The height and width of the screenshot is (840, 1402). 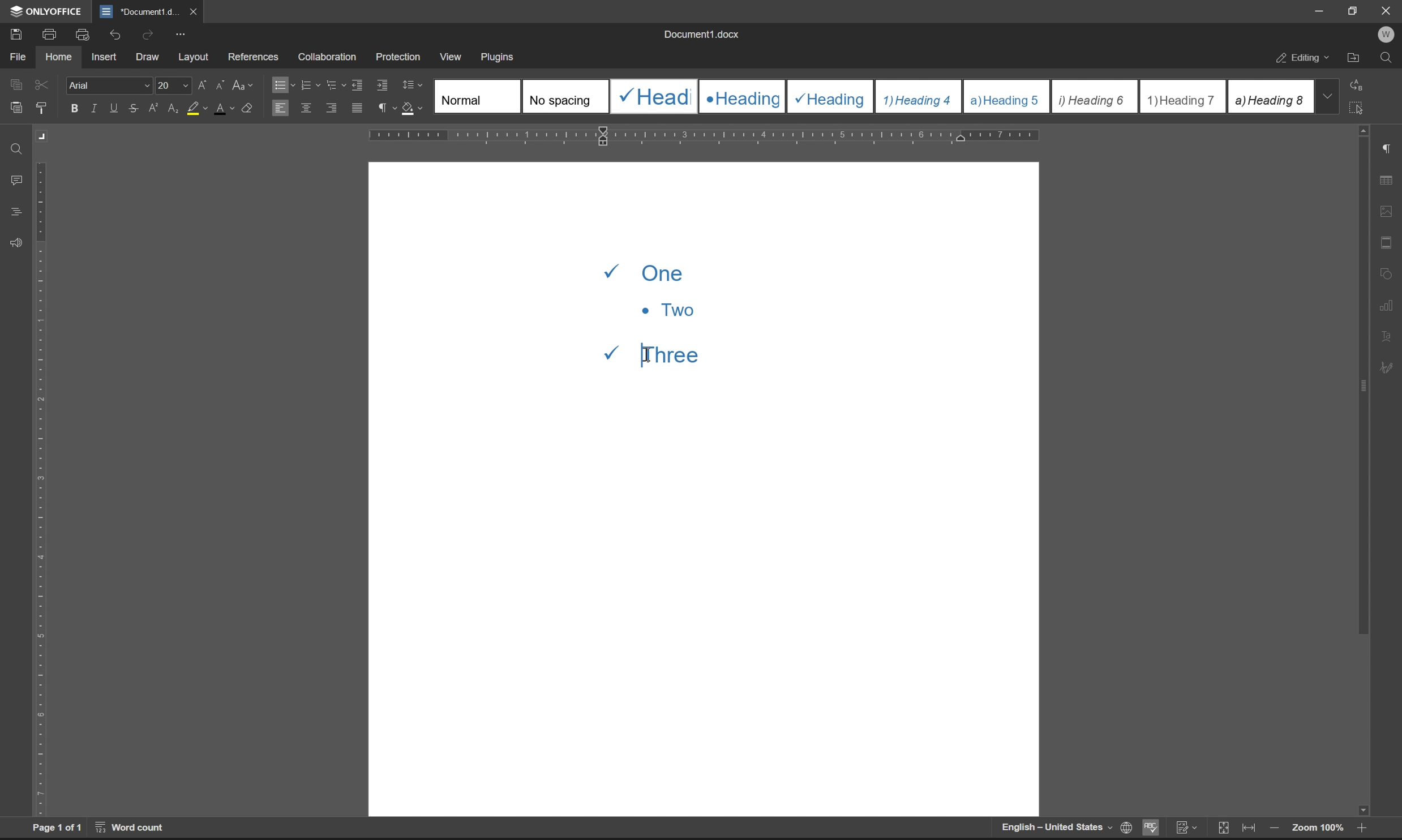 I want to click on fit to slide, so click(x=1223, y=829).